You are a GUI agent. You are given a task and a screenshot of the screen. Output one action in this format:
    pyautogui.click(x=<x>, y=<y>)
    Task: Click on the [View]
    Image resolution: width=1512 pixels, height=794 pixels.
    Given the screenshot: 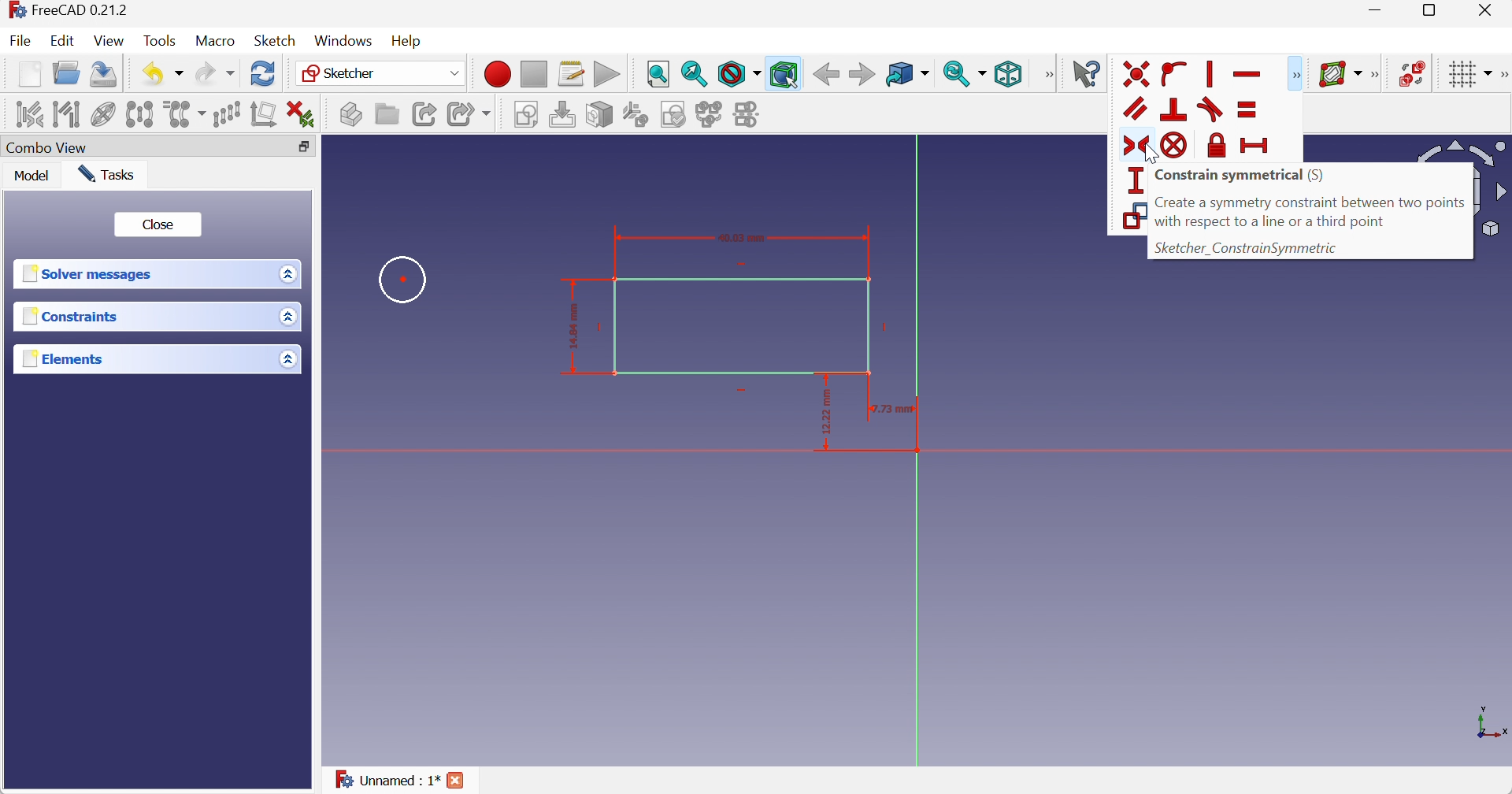 What is the action you would take?
    pyautogui.click(x=1046, y=75)
    